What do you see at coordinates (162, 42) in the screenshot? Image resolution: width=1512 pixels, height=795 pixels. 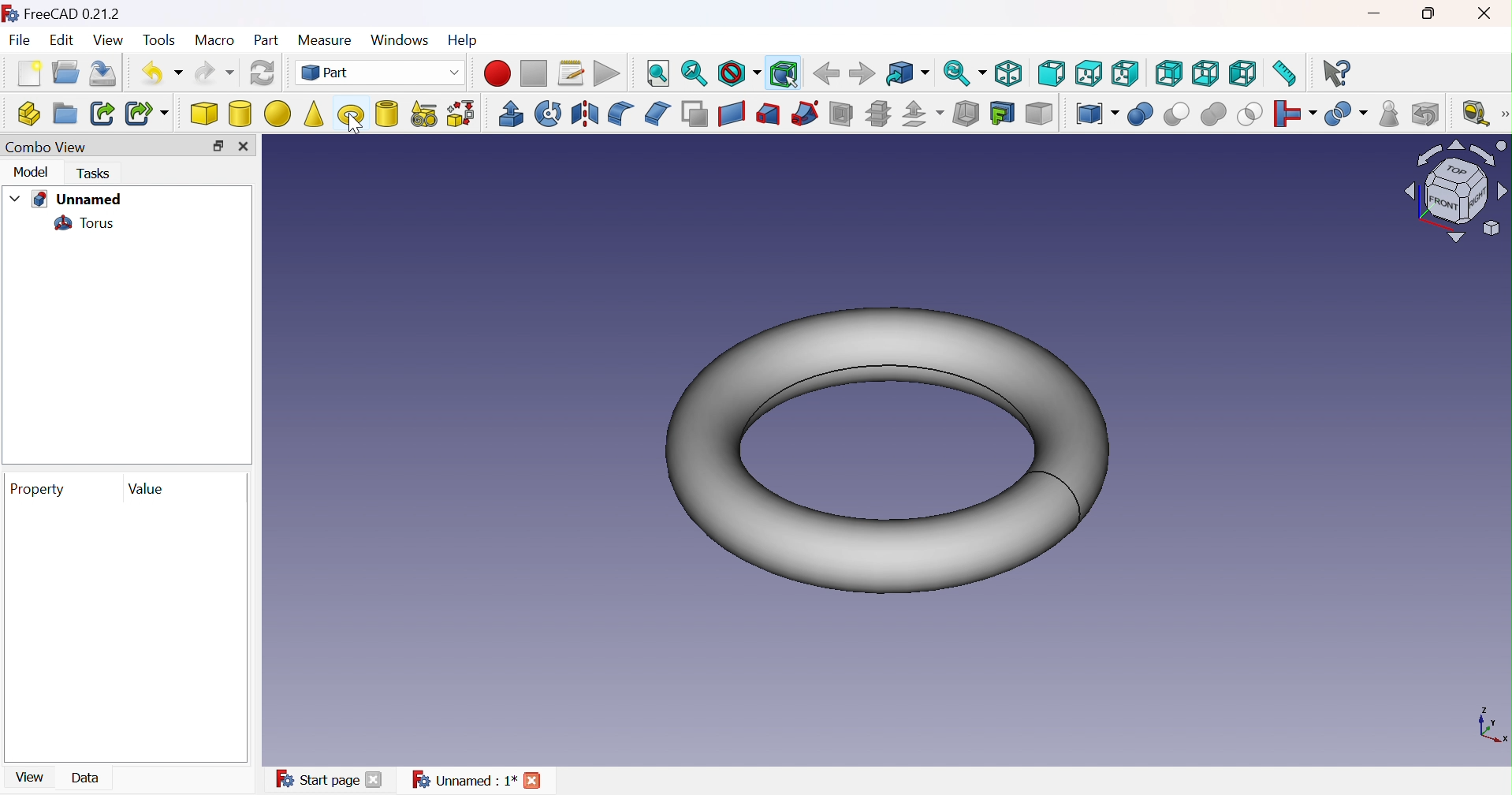 I see `Tools` at bounding box center [162, 42].